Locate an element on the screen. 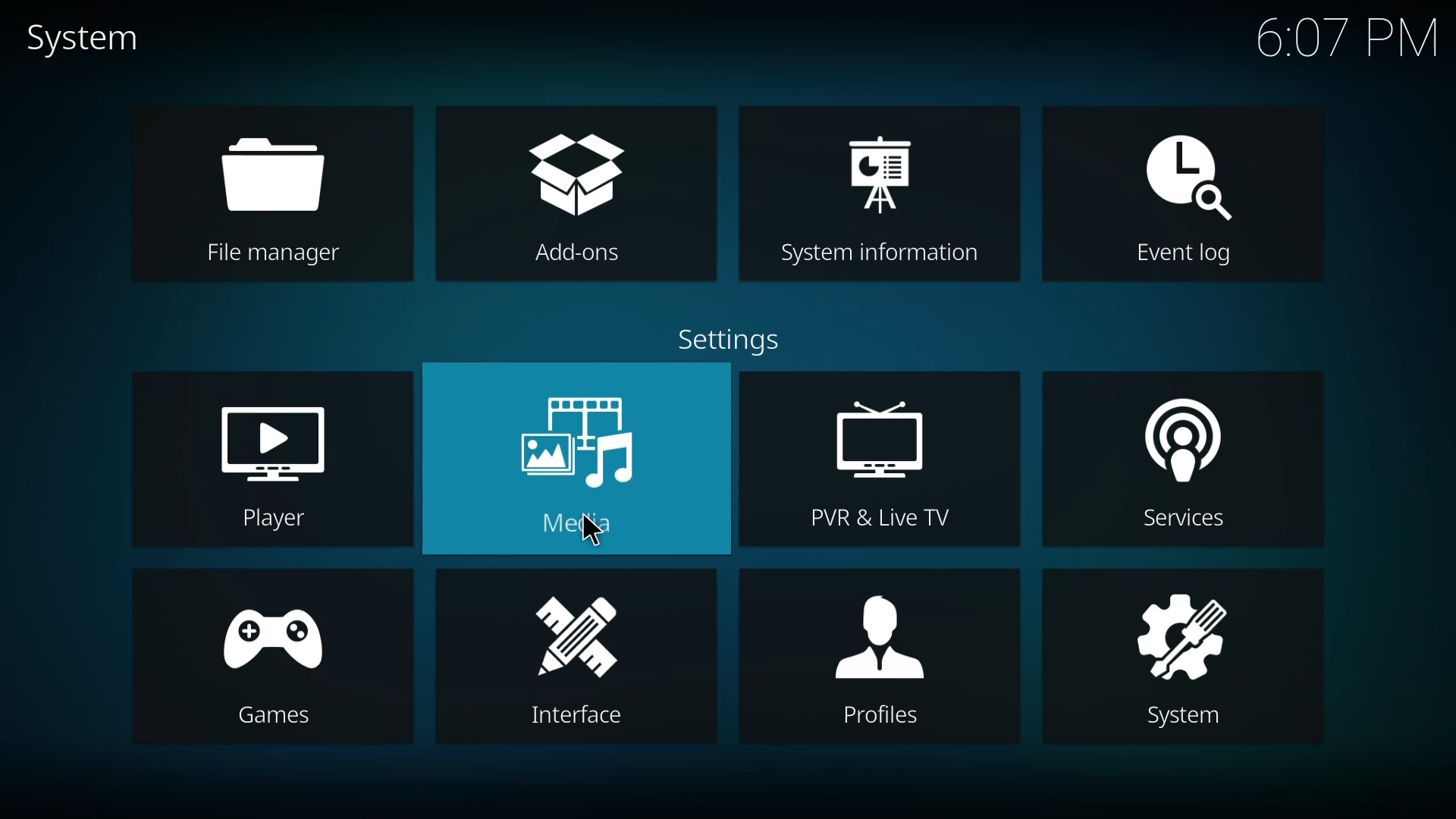  Services is located at coordinates (1188, 522).